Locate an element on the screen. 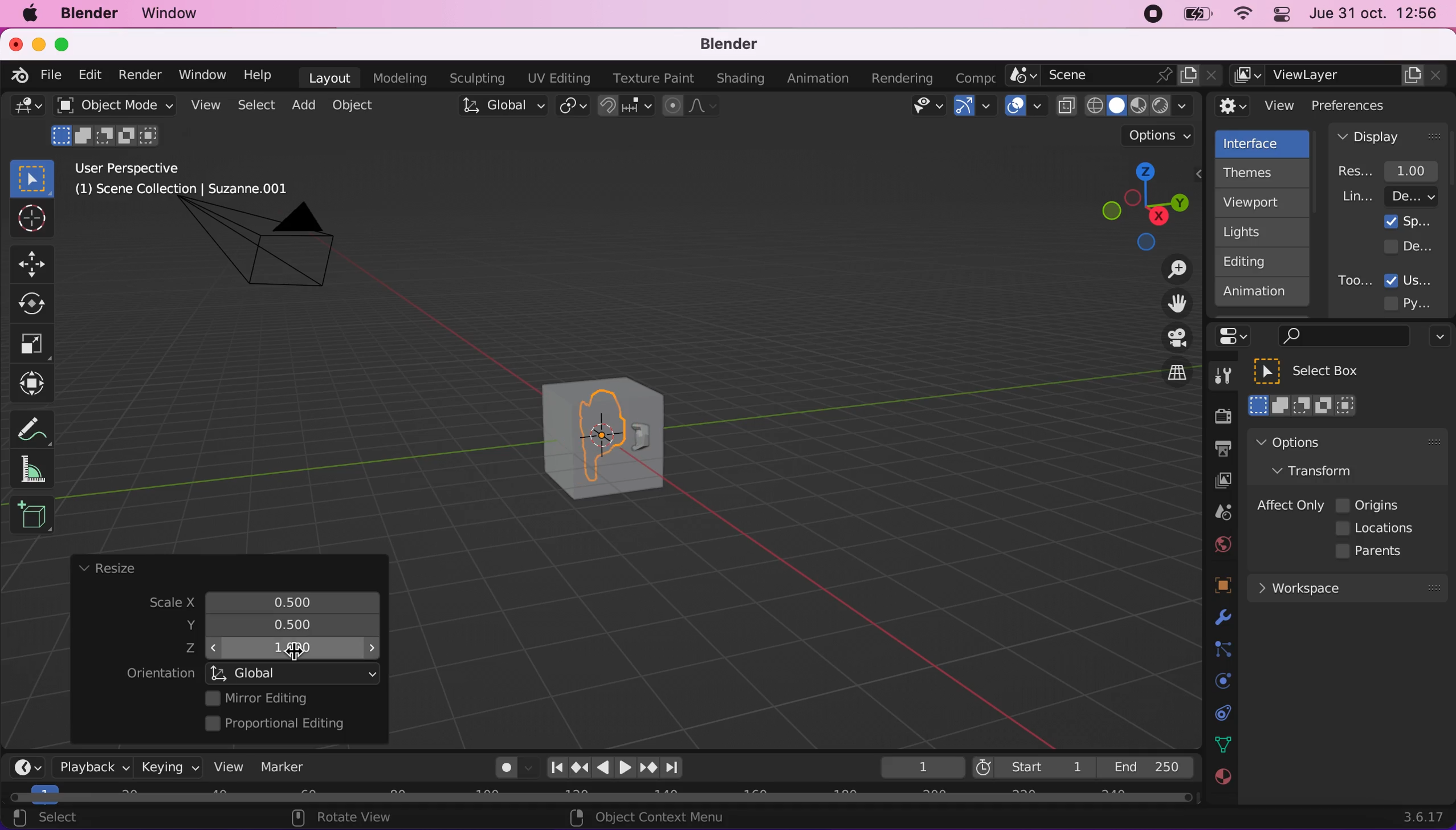 The width and height of the screenshot is (1456, 830). file is located at coordinates (49, 75).